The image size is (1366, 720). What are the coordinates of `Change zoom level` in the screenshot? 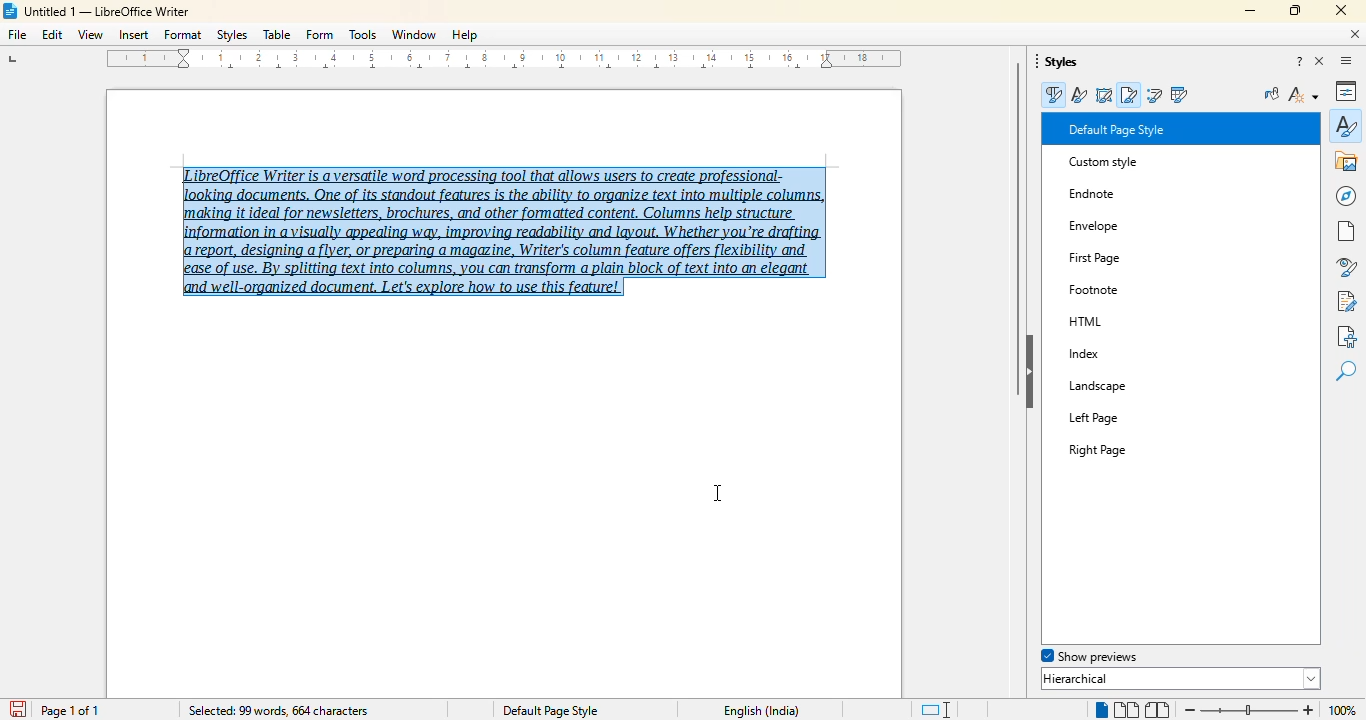 It's located at (1250, 707).